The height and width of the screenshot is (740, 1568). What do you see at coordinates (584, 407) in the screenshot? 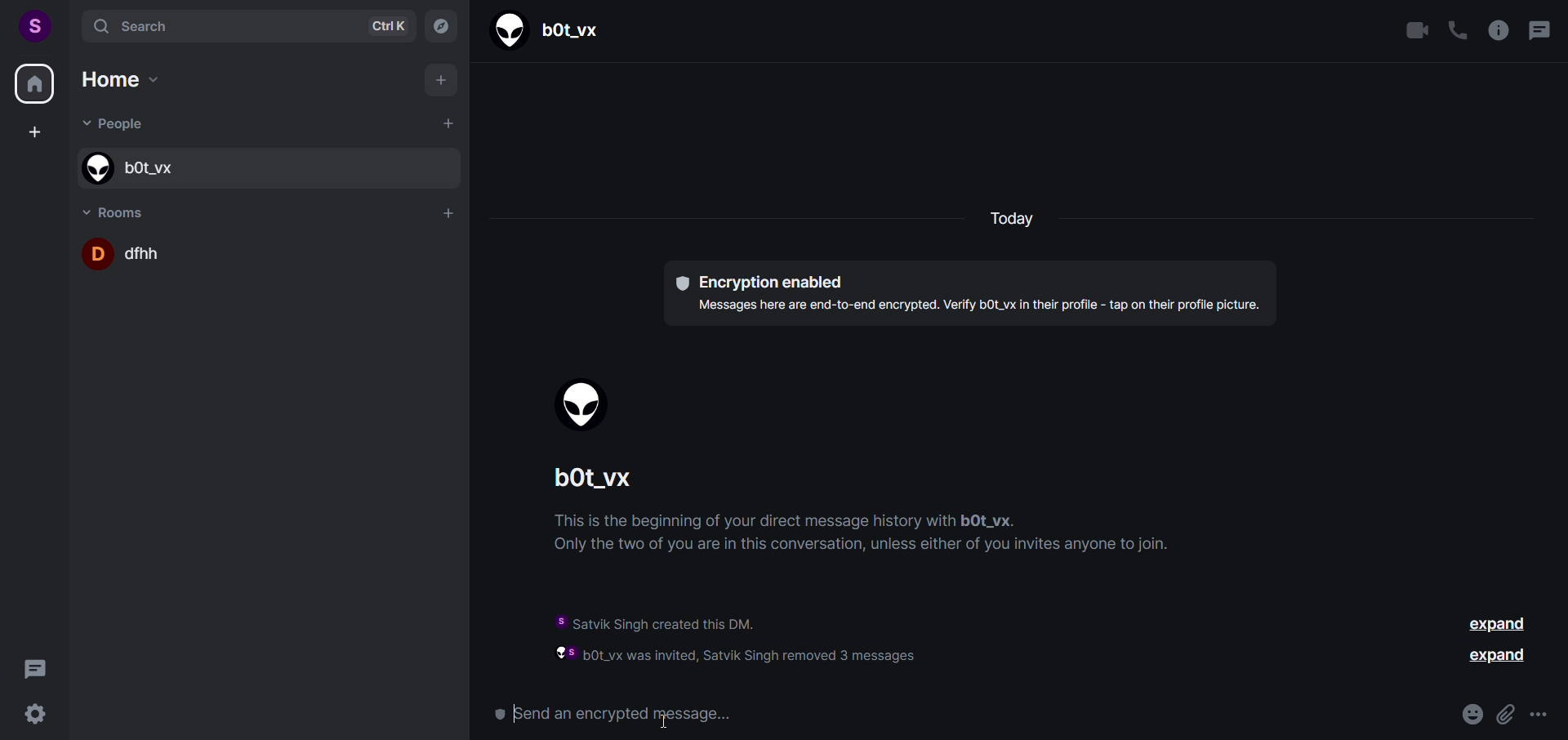
I see `display picture` at bounding box center [584, 407].